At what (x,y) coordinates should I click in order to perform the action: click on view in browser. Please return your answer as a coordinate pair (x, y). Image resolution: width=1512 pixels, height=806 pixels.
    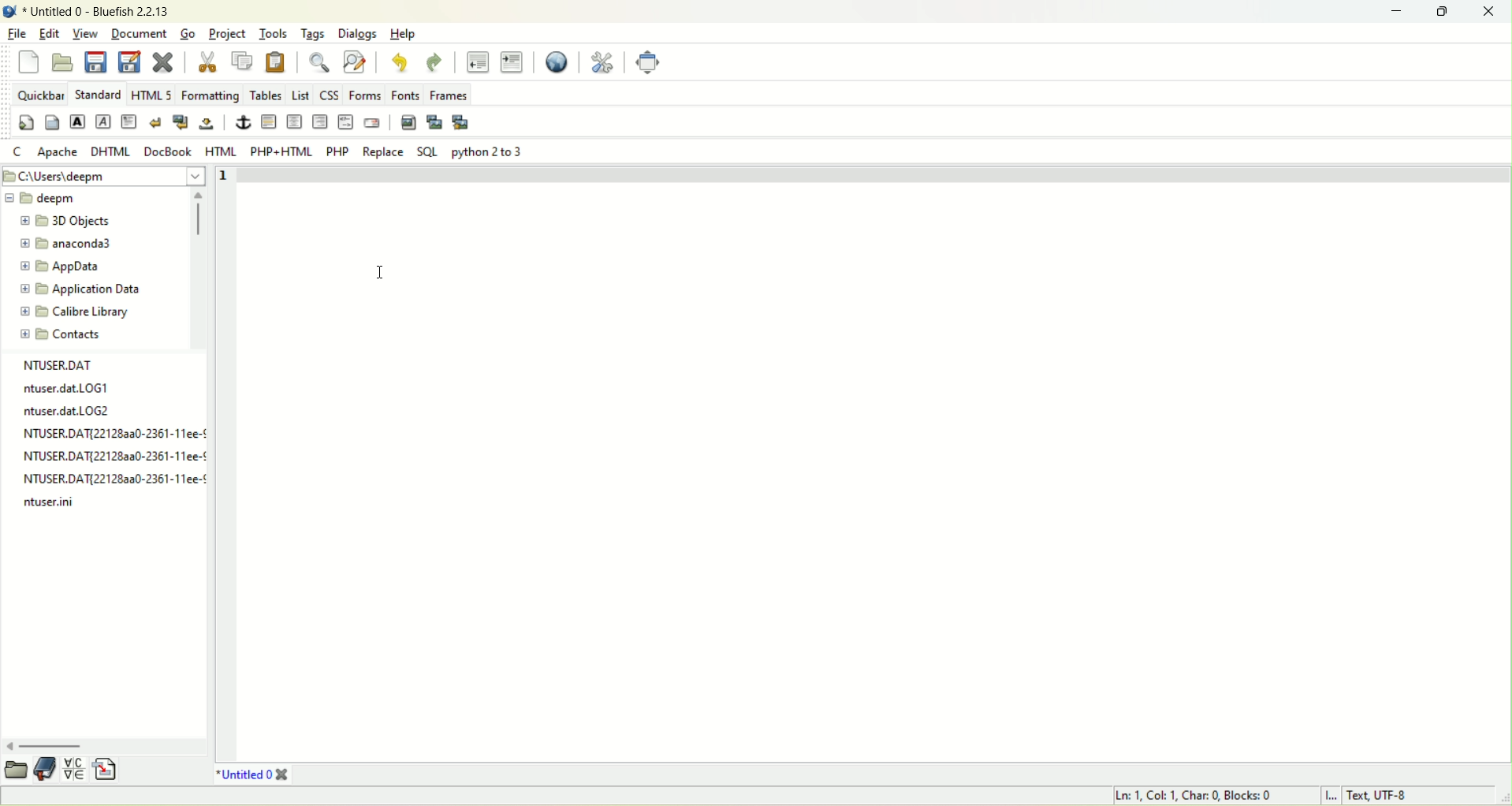
    Looking at the image, I should click on (558, 62).